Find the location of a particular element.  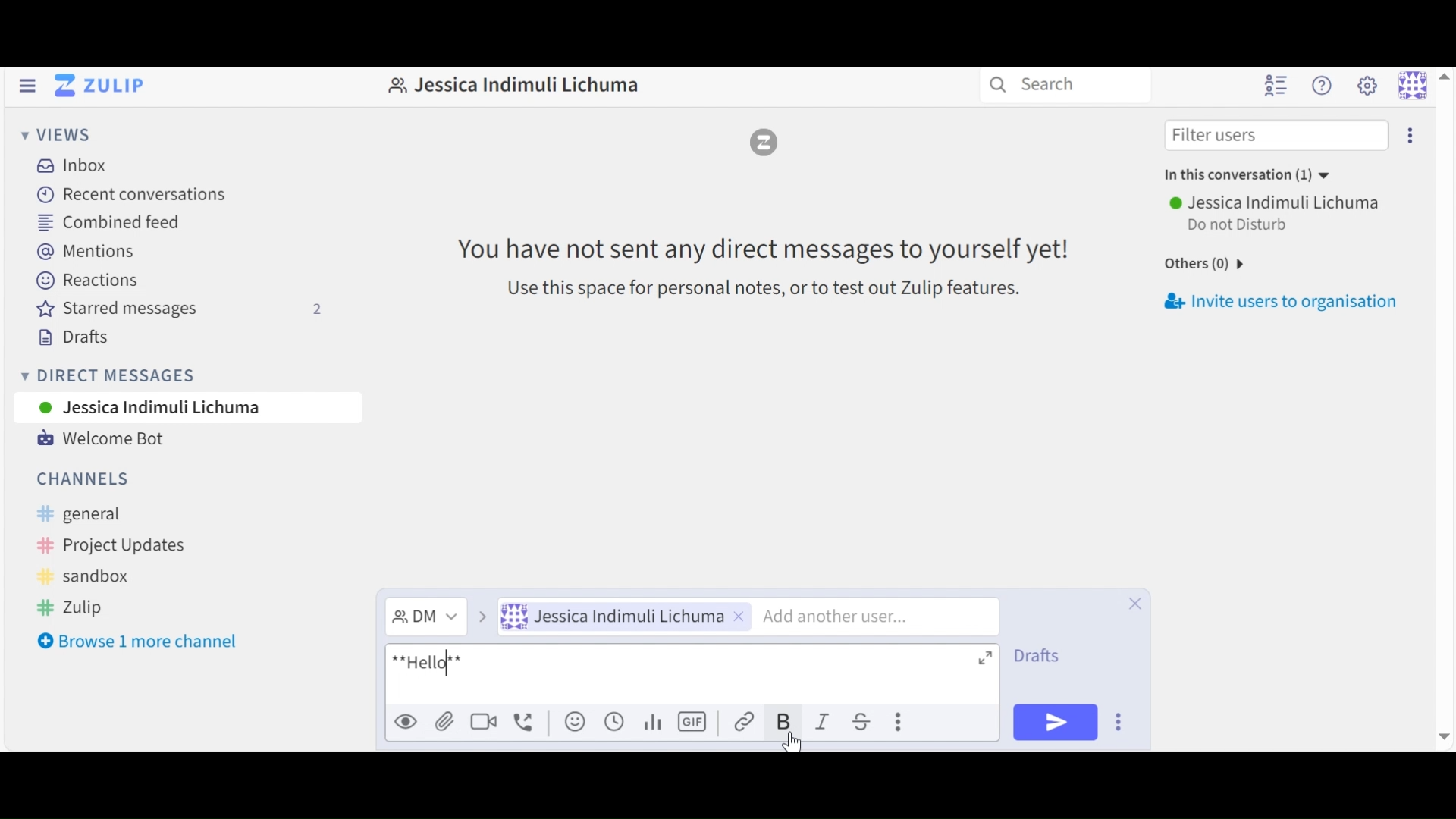

Project Updates is located at coordinates (107, 545).